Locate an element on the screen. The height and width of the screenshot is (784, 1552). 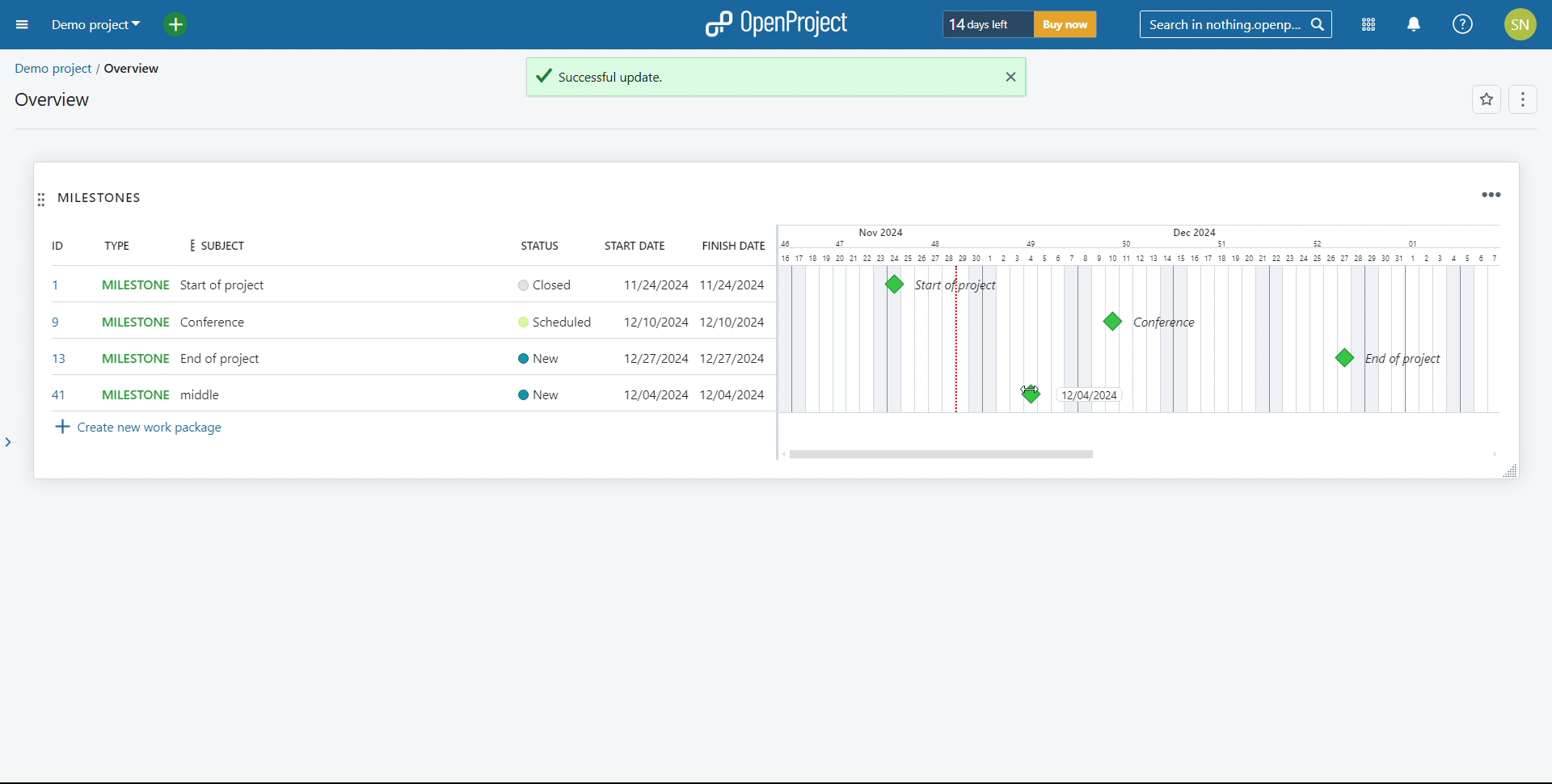
create new work package is located at coordinates (140, 428).